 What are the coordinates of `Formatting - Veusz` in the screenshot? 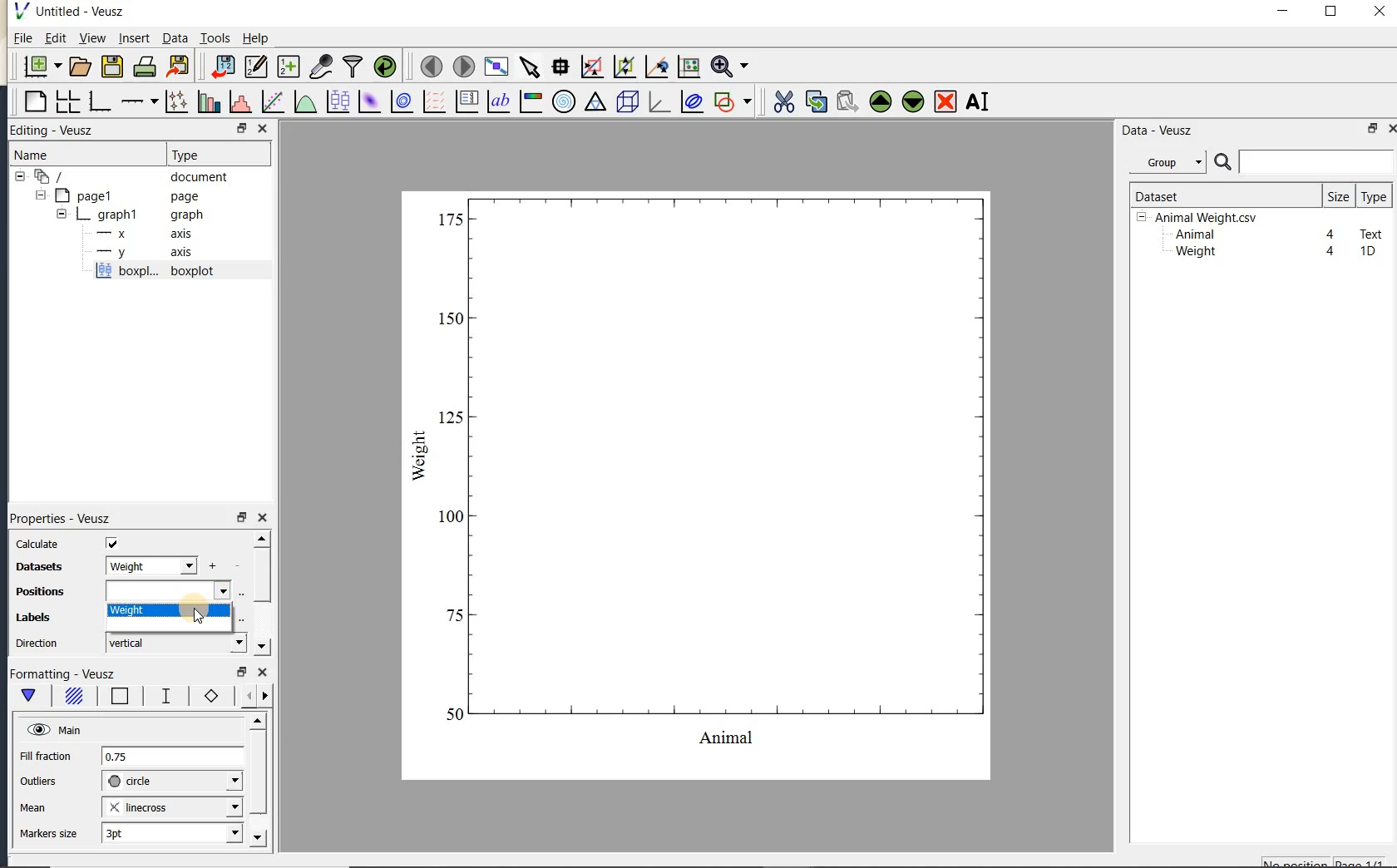 It's located at (67, 674).